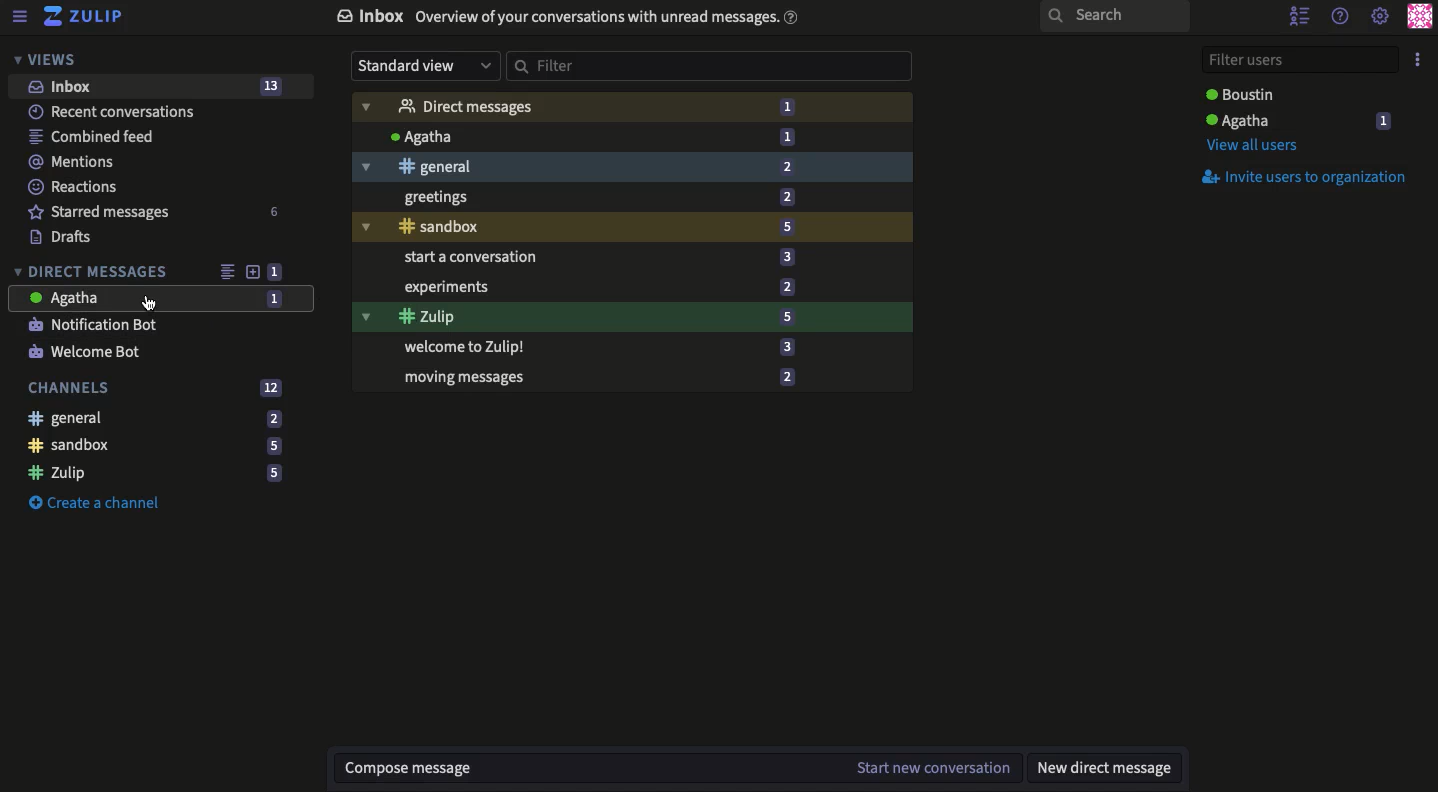 This screenshot has height=792, width=1438. Describe the element at coordinates (634, 379) in the screenshot. I see `Moving messages` at that location.